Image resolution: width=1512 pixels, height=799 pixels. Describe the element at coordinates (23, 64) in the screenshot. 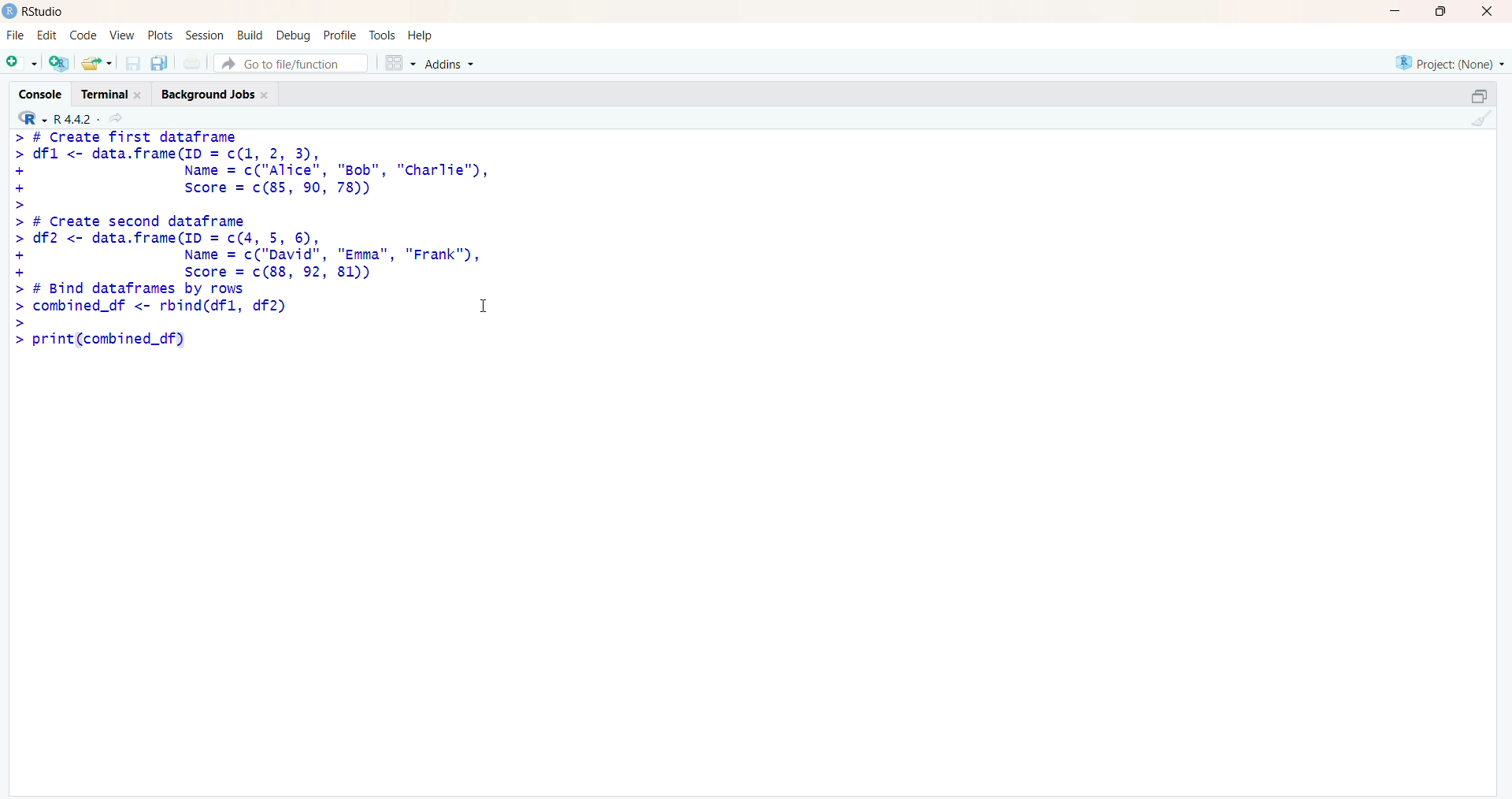

I see `new file` at that location.